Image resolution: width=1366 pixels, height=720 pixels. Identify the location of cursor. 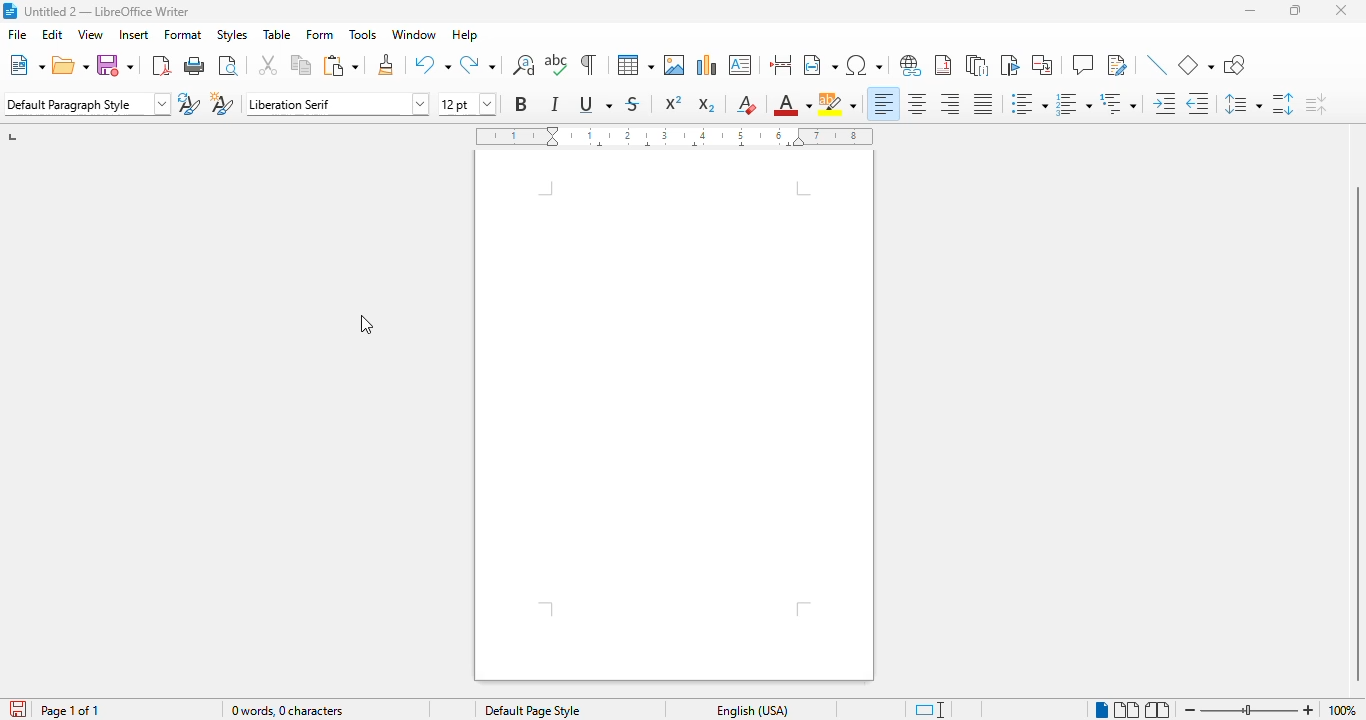
(366, 324).